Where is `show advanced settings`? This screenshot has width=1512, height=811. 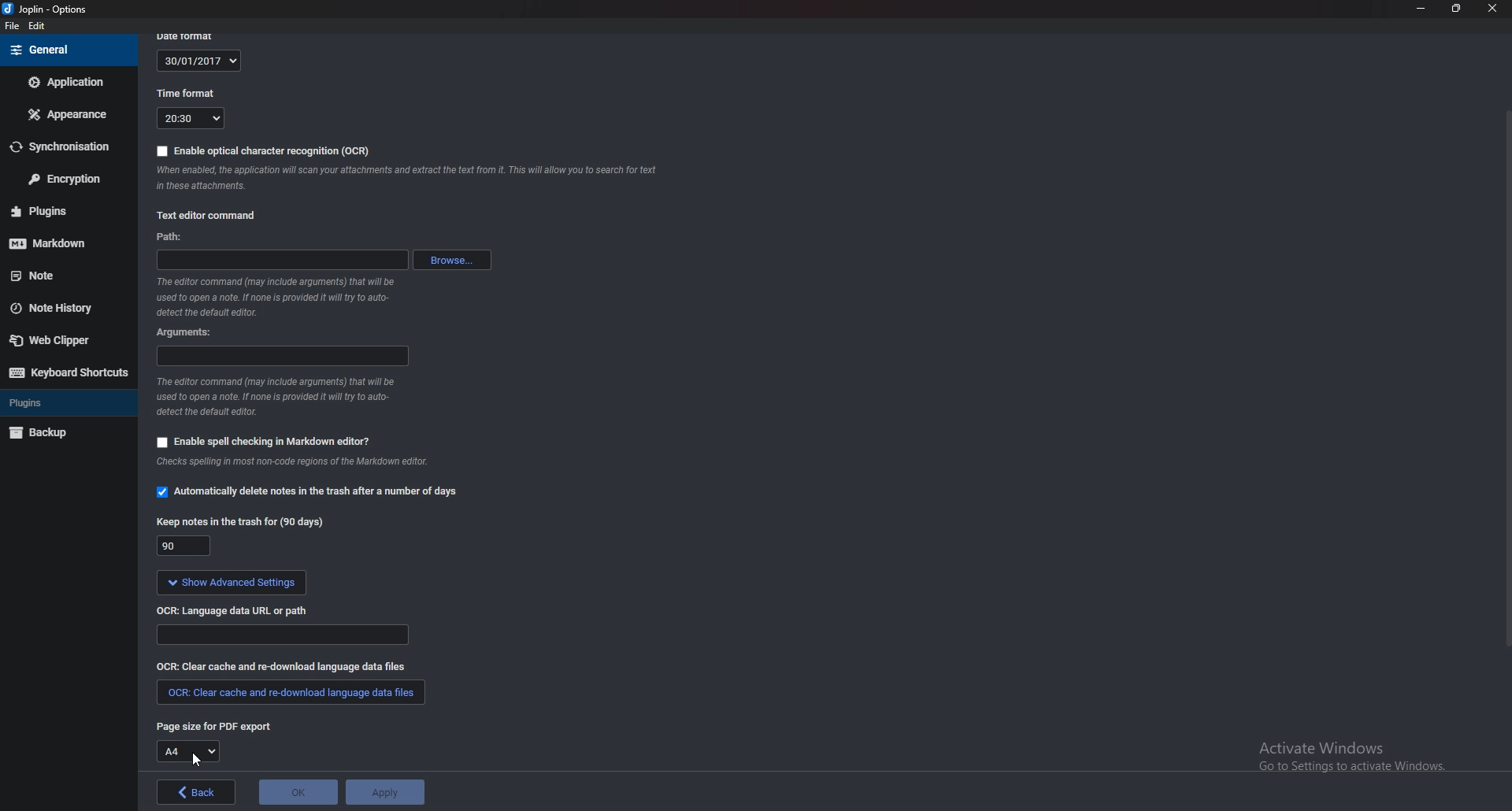
show advanced settings is located at coordinates (230, 584).